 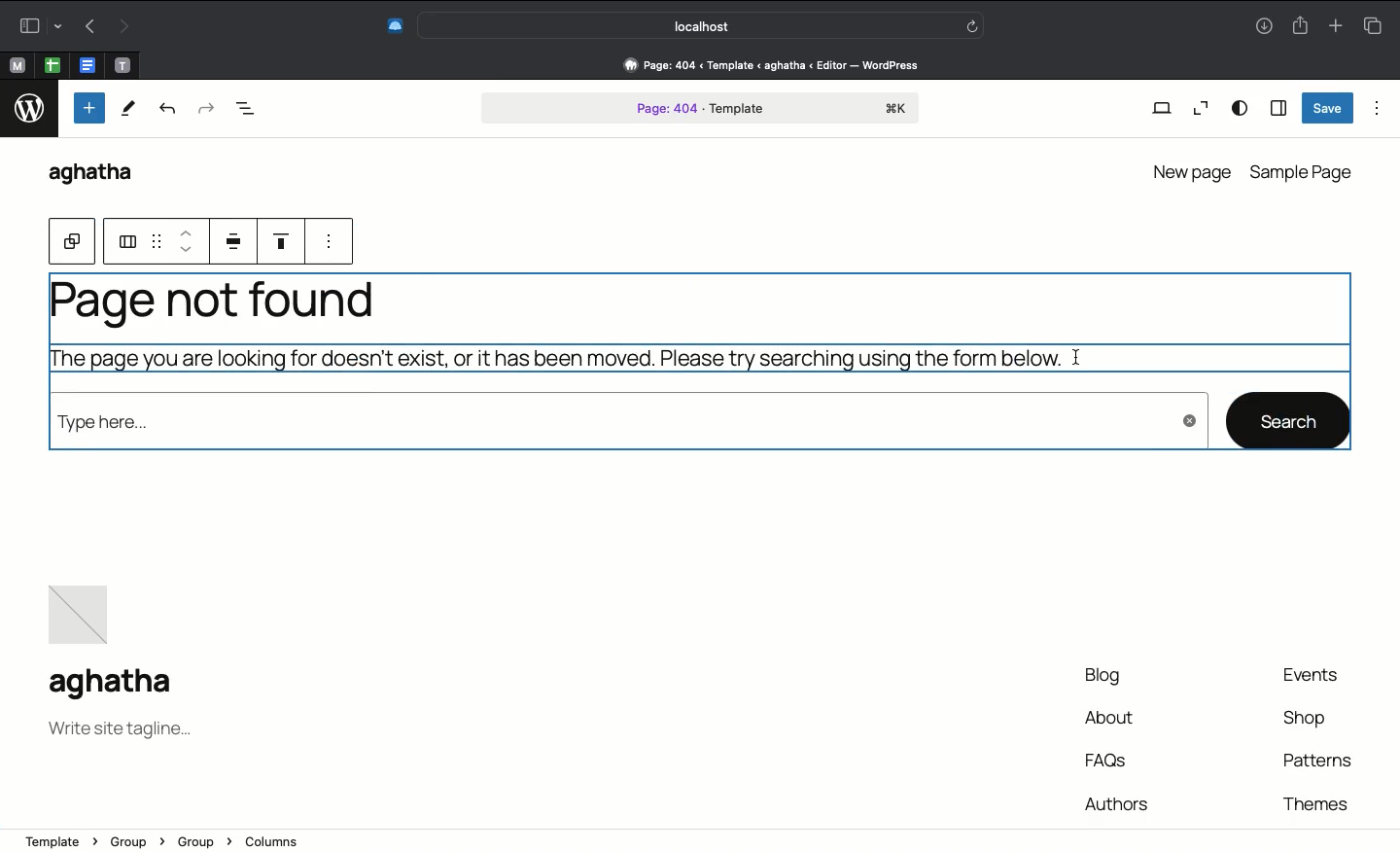 I want to click on Tools, so click(x=127, y=109).